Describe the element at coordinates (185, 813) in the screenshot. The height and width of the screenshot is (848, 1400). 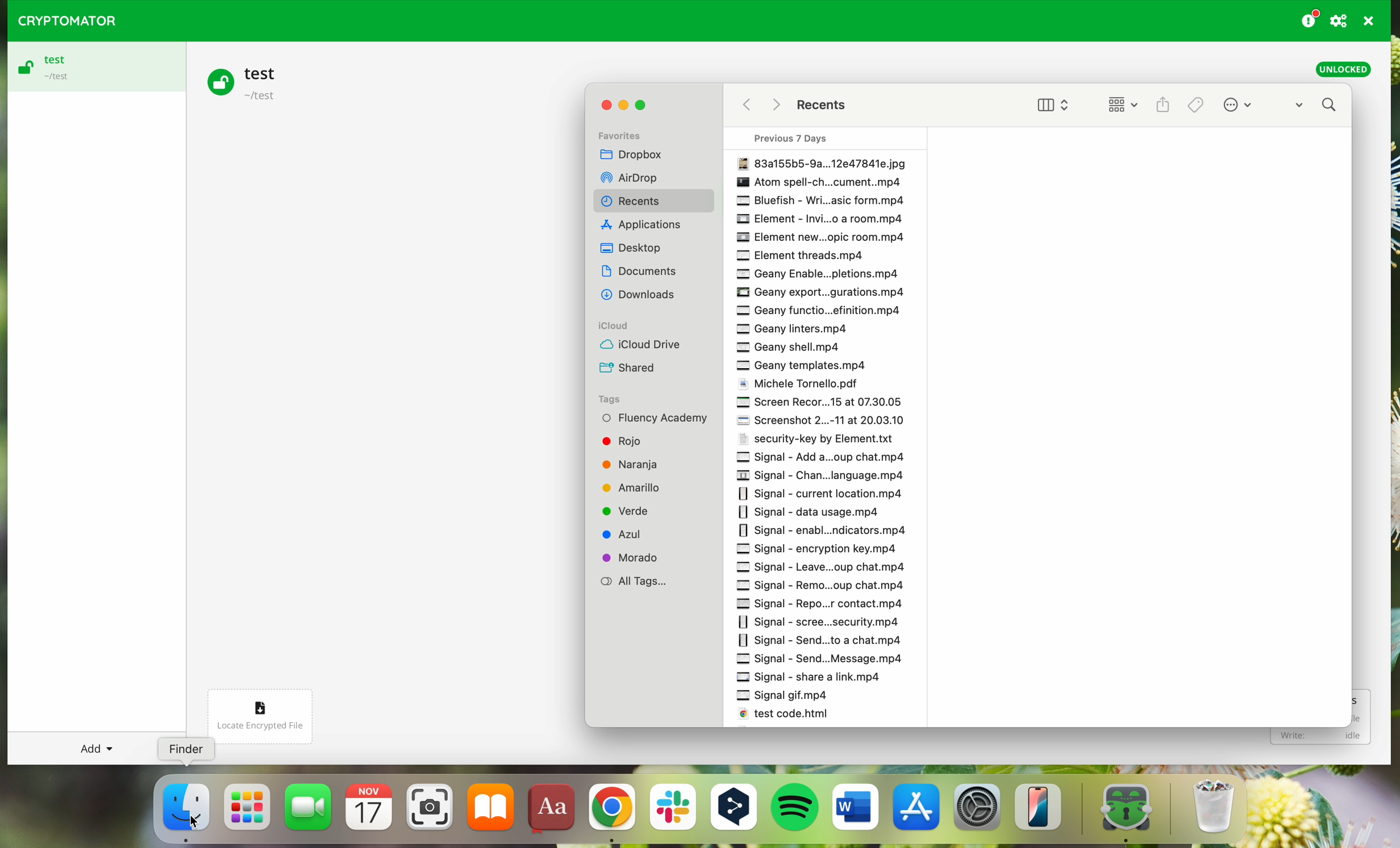
I see `cursor on finder` at that location.